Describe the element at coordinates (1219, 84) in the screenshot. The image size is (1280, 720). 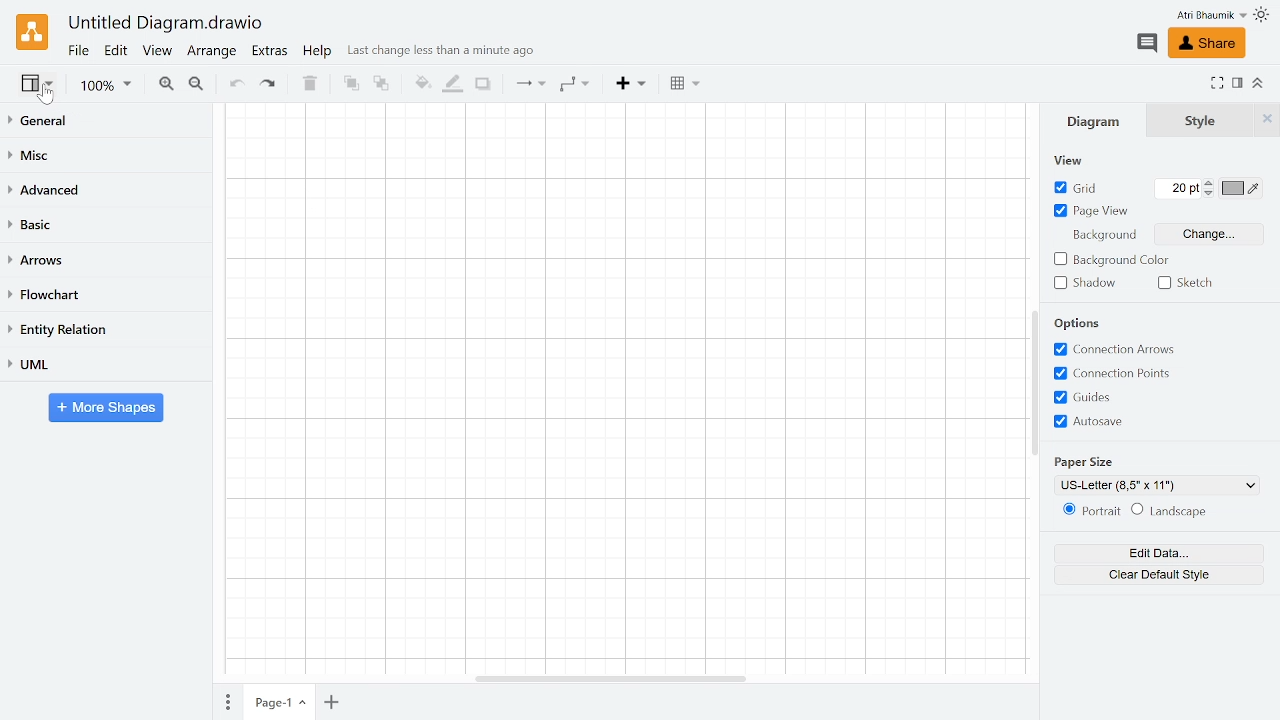
I see `Fullscreen` at that location.